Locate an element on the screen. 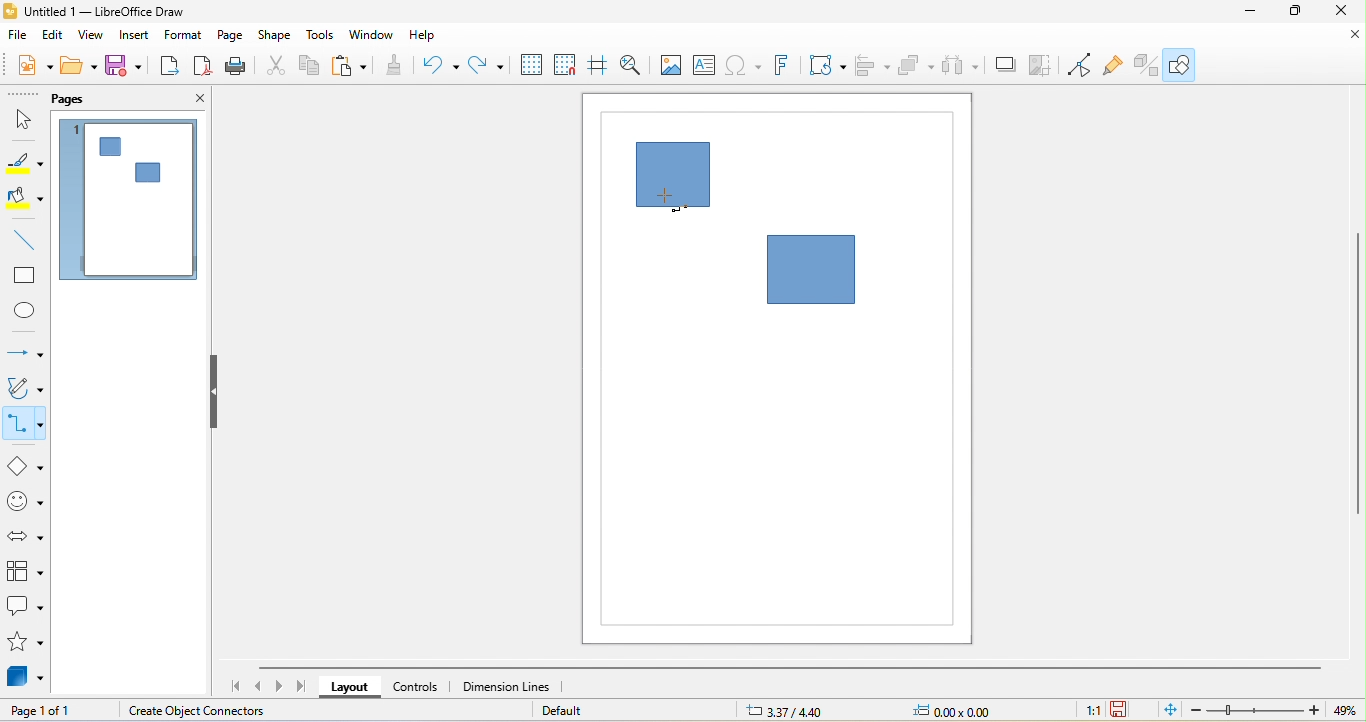 The image size is (1366, 722). curves and polygon is located at coordinates (26, 388).